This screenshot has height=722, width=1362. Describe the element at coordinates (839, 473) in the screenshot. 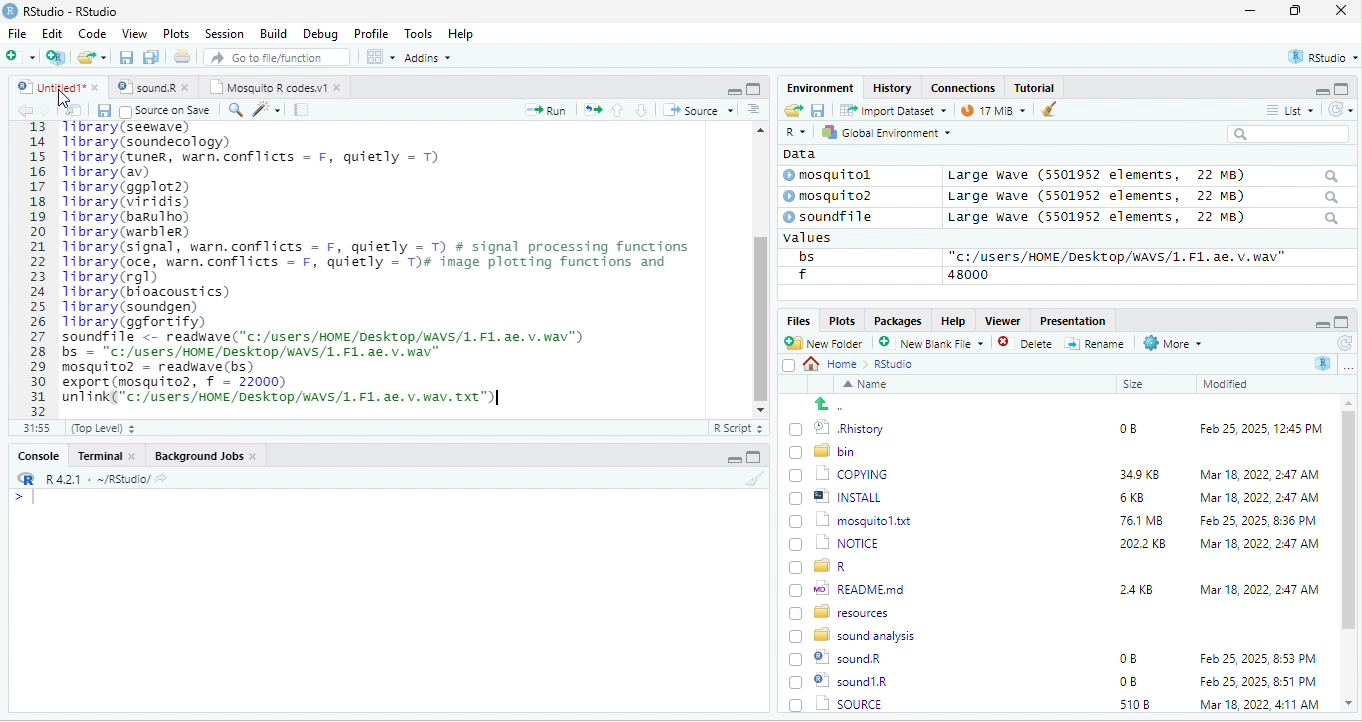

I see `‘| COPYING` at that location.